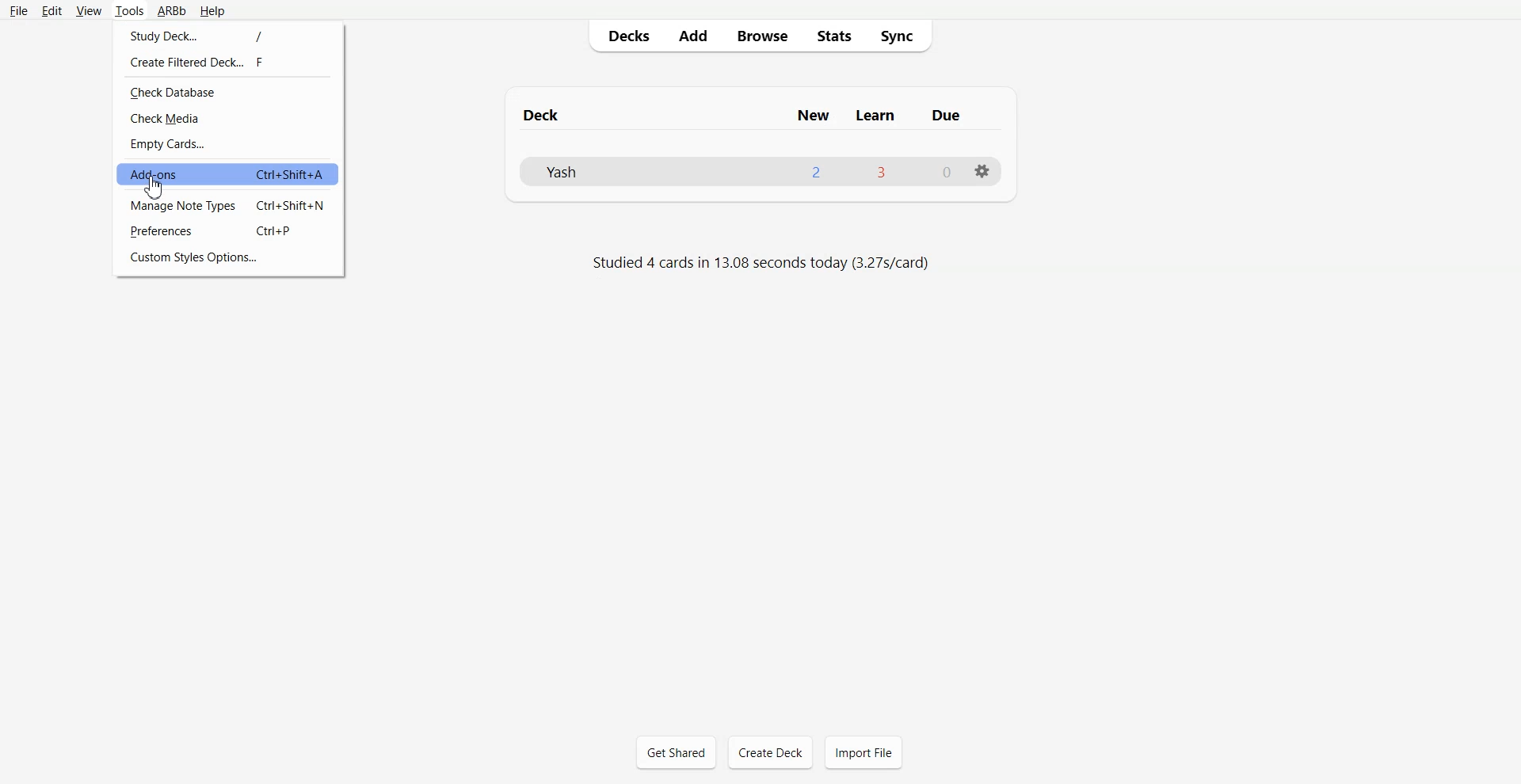 This screenshot has width=1521, height=784. I want to click on Empty Cards, so click(230, 143).